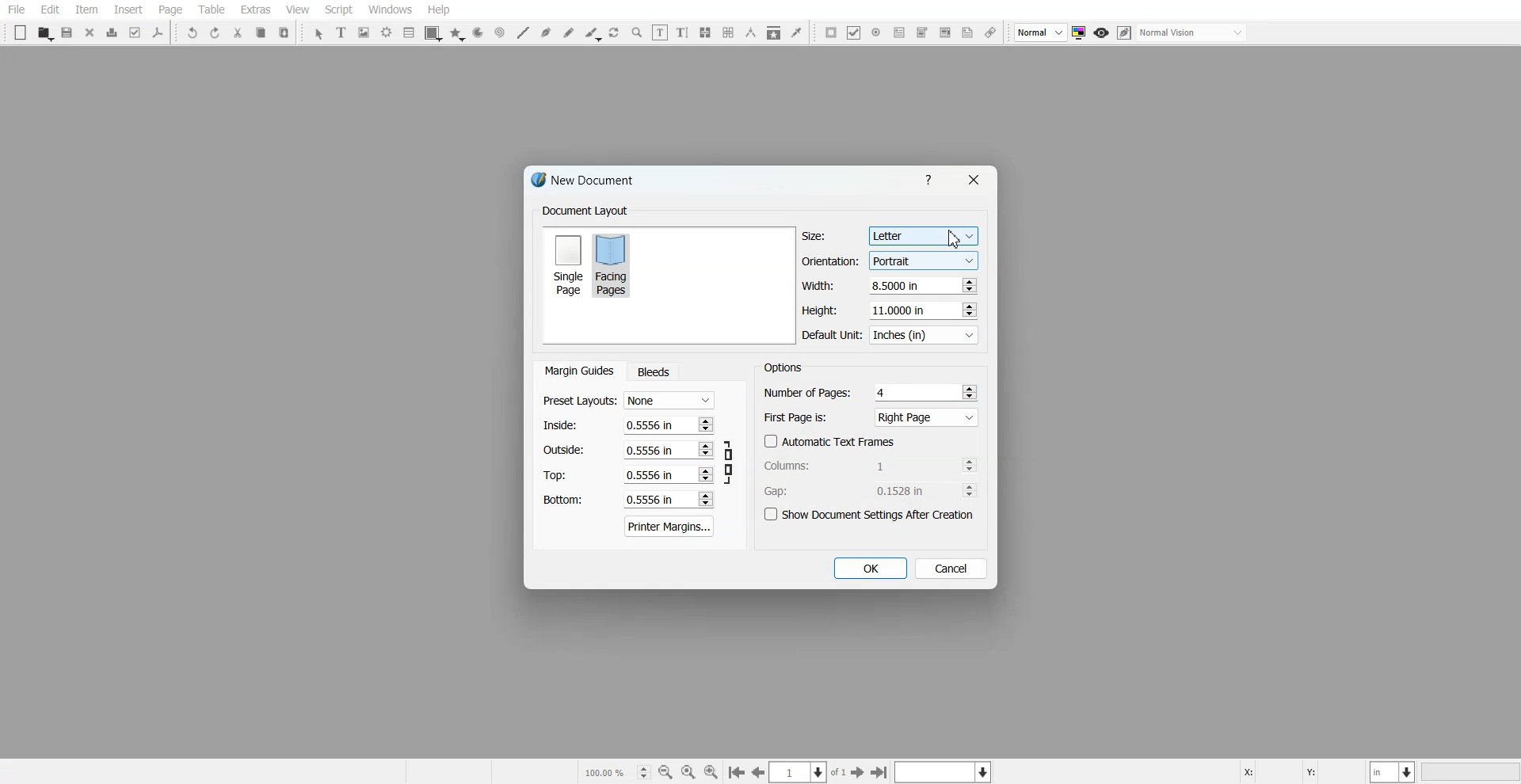 Image resolution: width=1521 pixels, height=784 pixels. Describe the element at coordinates (478, 33) in the screenshot. I see `Arc` at that location.